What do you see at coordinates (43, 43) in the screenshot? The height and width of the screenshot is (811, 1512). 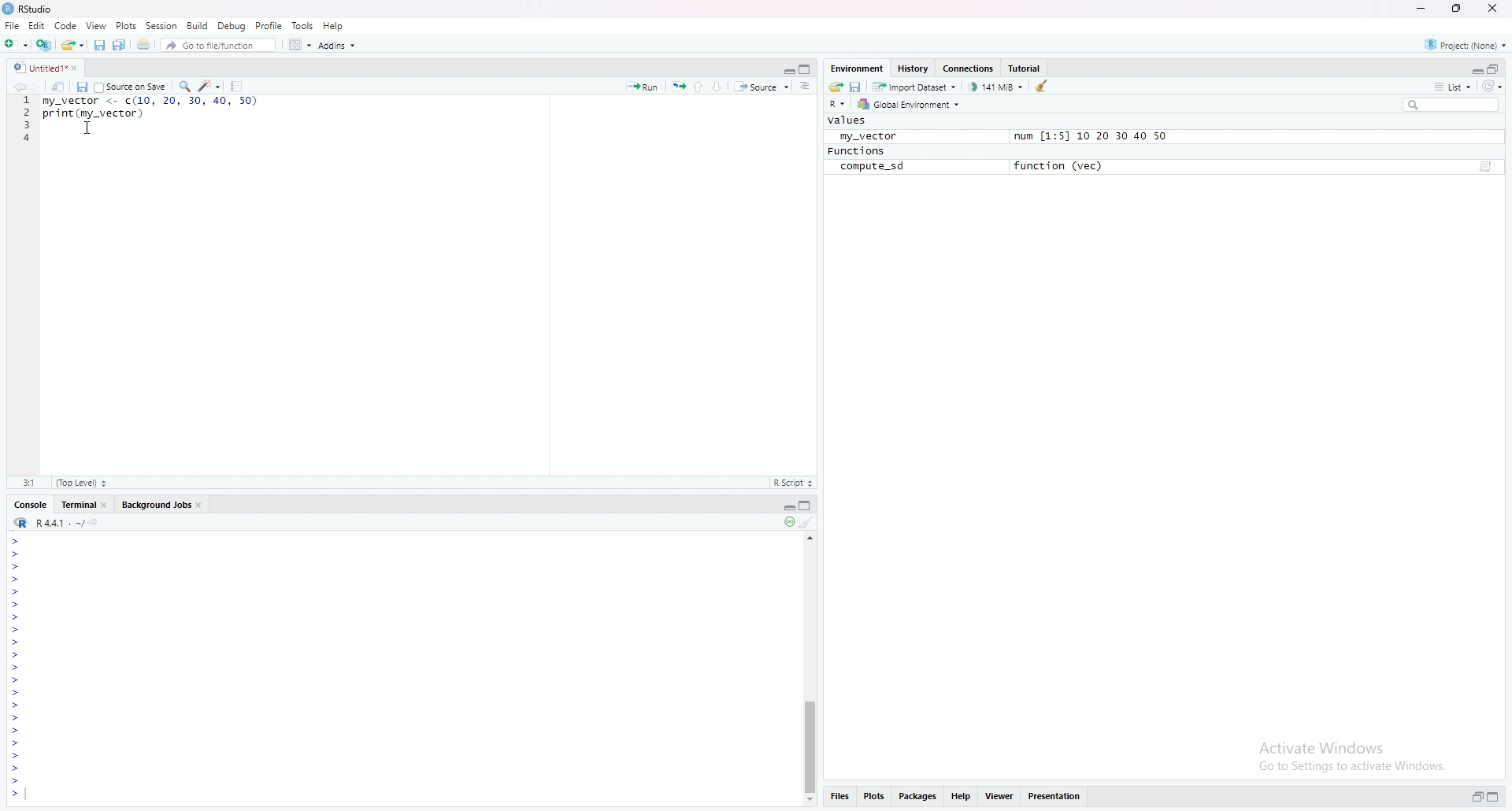 I see `Create a project` at bounding box center [43, 43].